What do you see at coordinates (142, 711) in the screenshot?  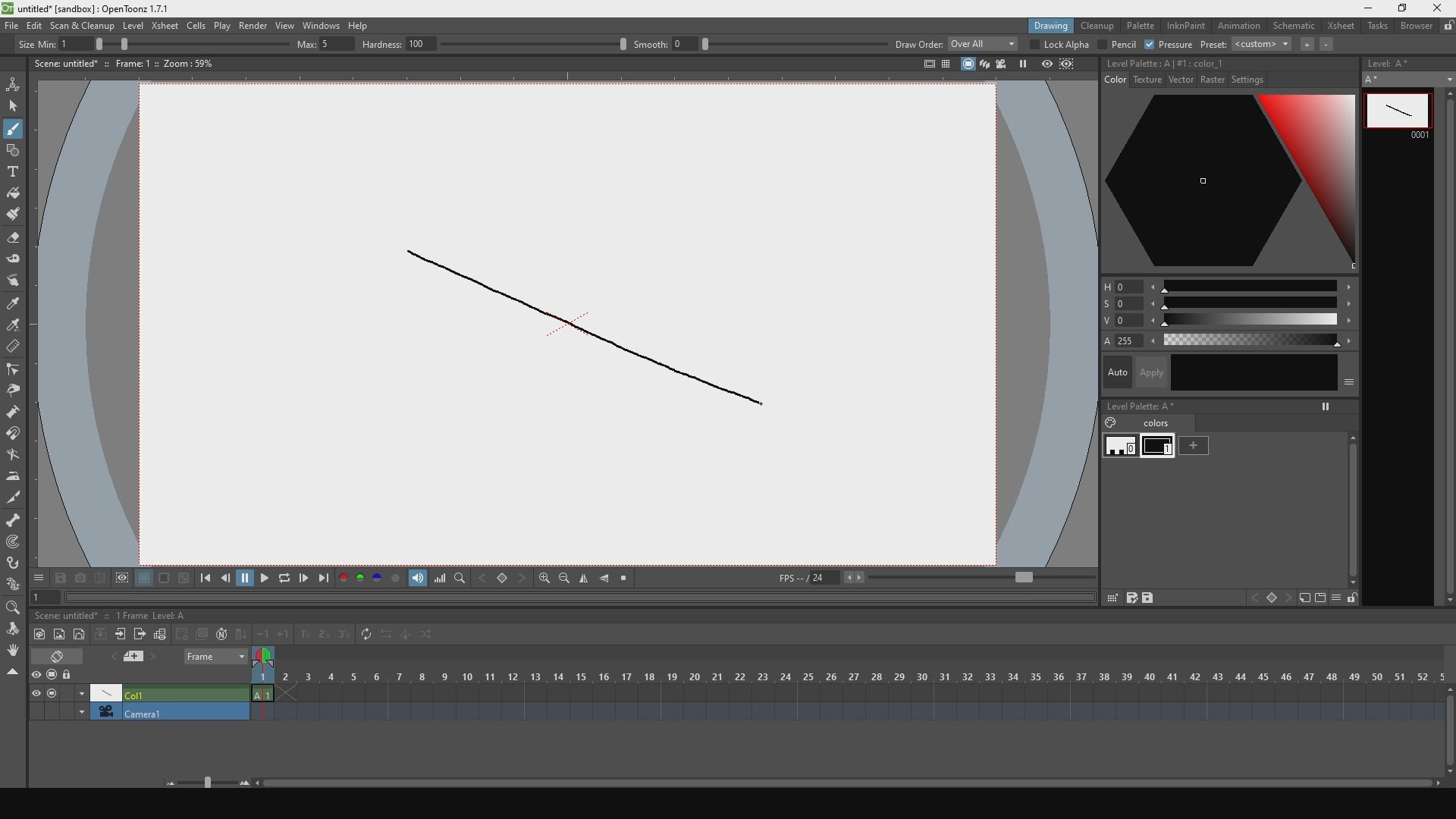 I see `camera` at bounding box center [142, 711].